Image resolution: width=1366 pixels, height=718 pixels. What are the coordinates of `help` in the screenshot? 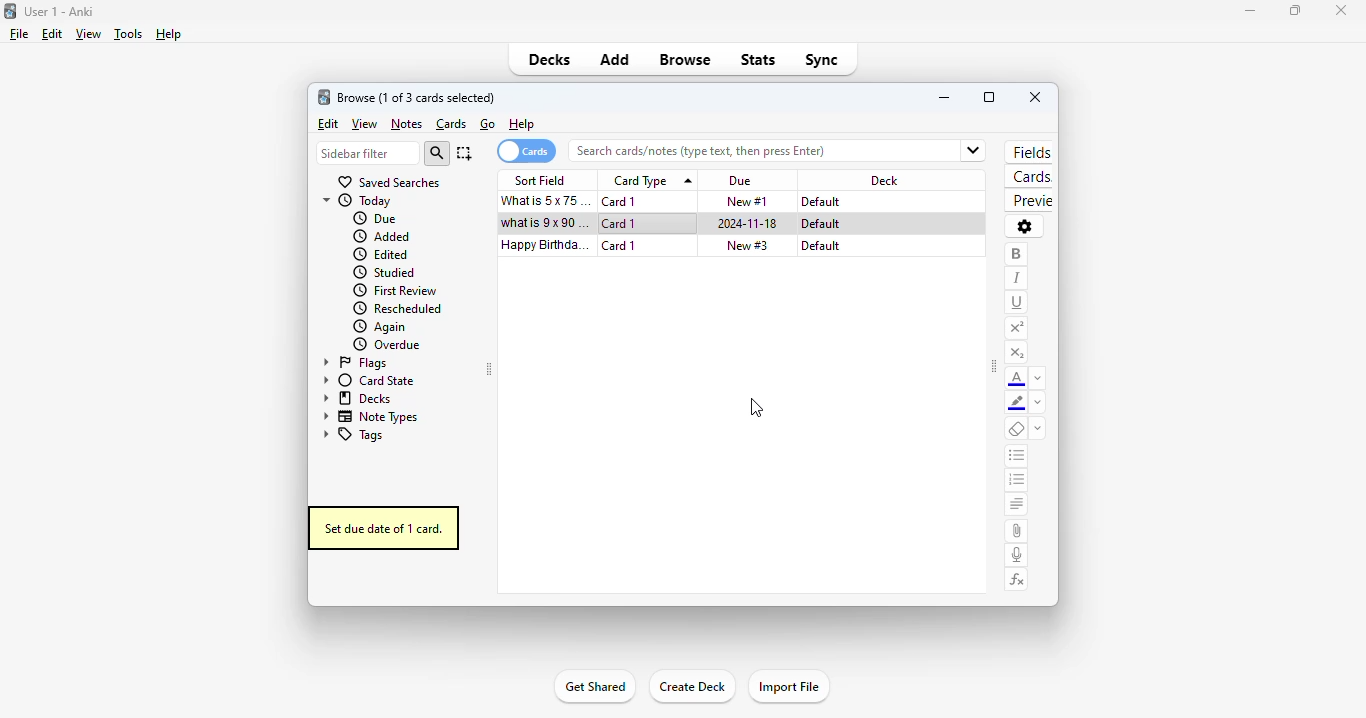 It's located at (522, 125).